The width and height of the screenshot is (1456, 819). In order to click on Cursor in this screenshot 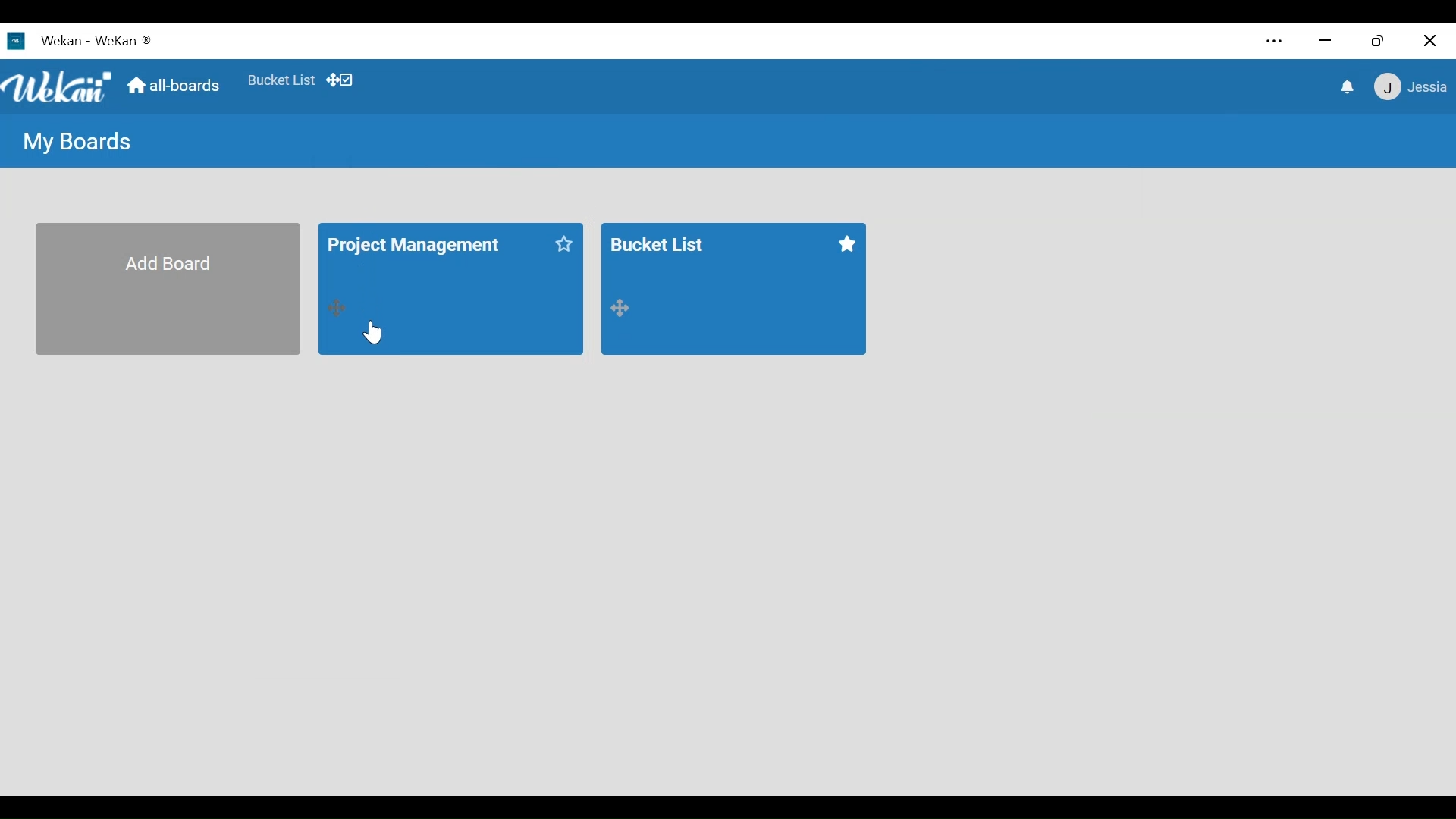, I will do `click(374, 331)`.